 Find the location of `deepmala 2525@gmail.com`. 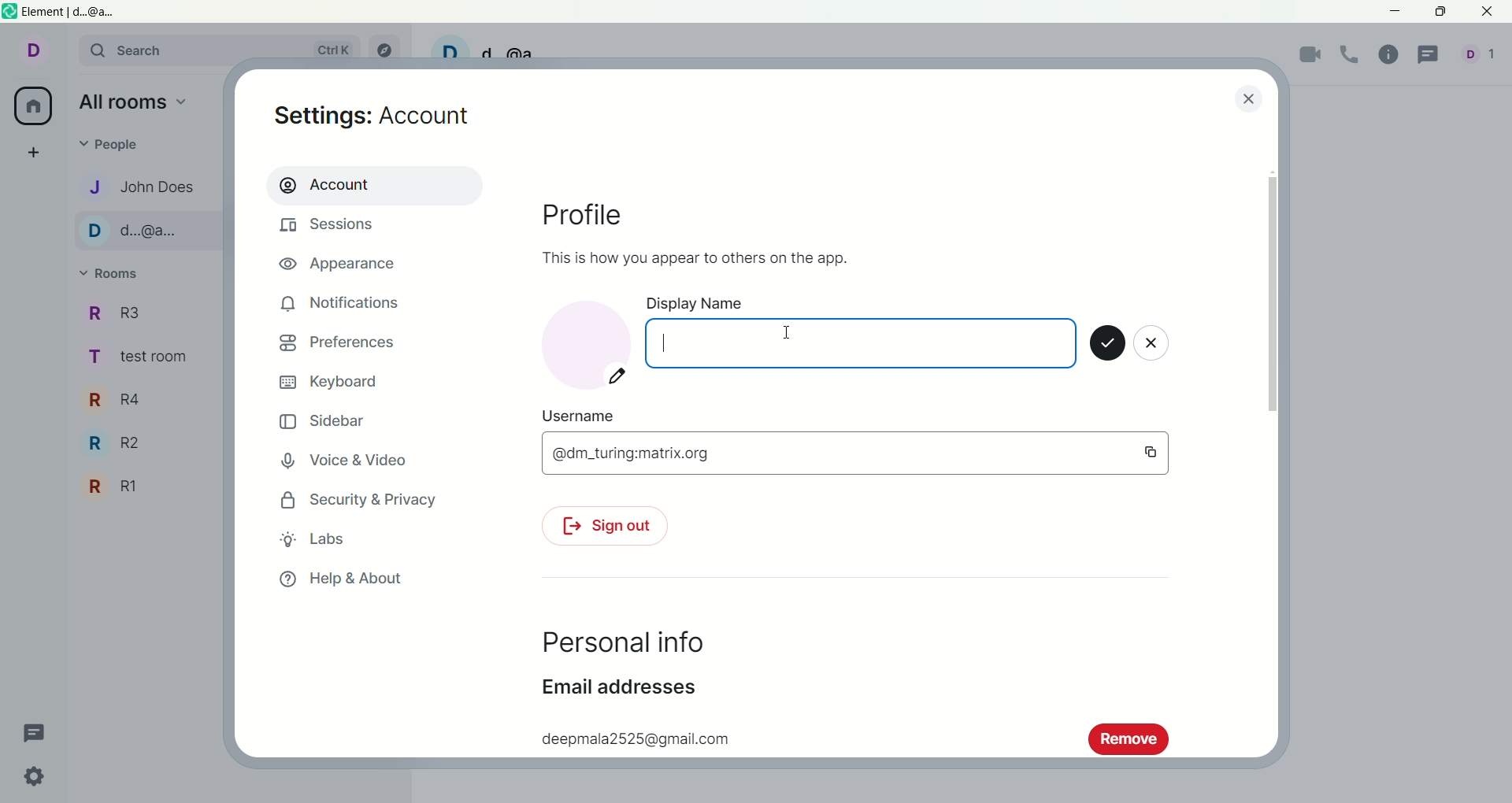

deepmala 2525@gmail.com is located at coordinates (632, 736).